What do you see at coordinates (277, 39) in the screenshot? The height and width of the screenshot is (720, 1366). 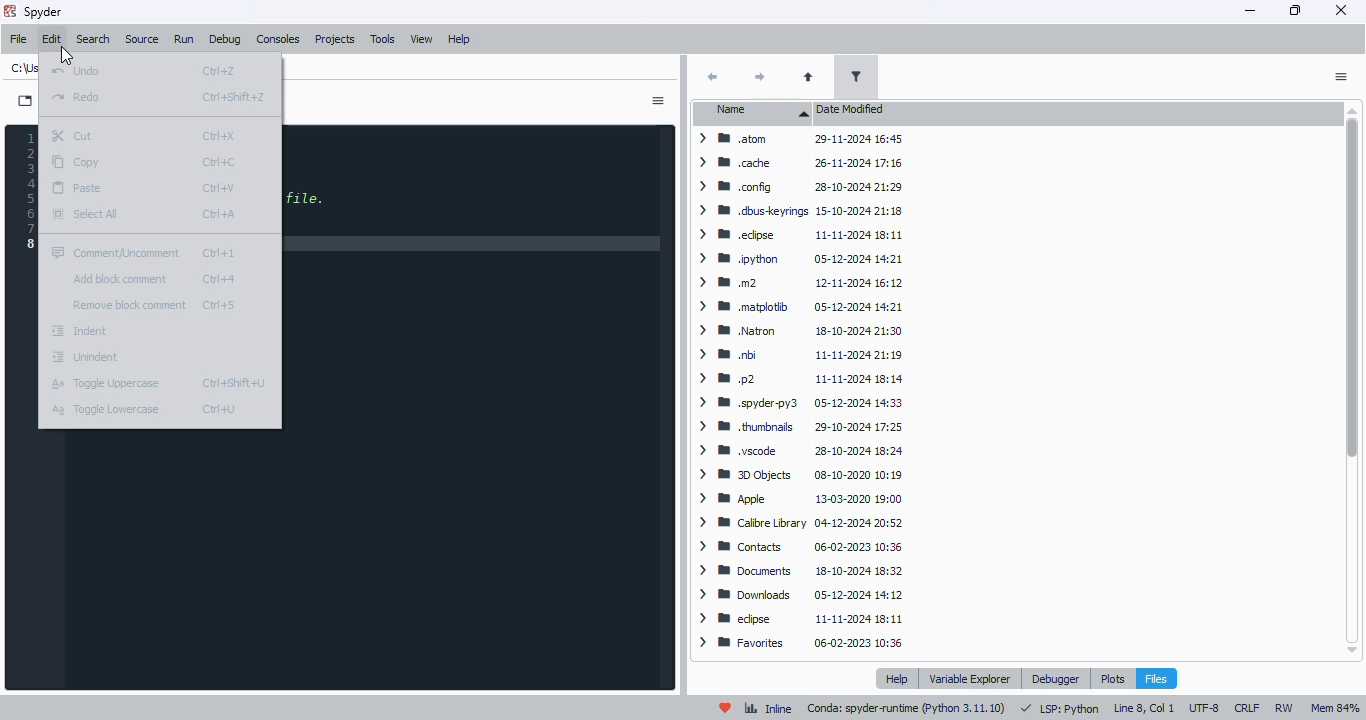 I see `consoles` at bounding box center [277, 39].